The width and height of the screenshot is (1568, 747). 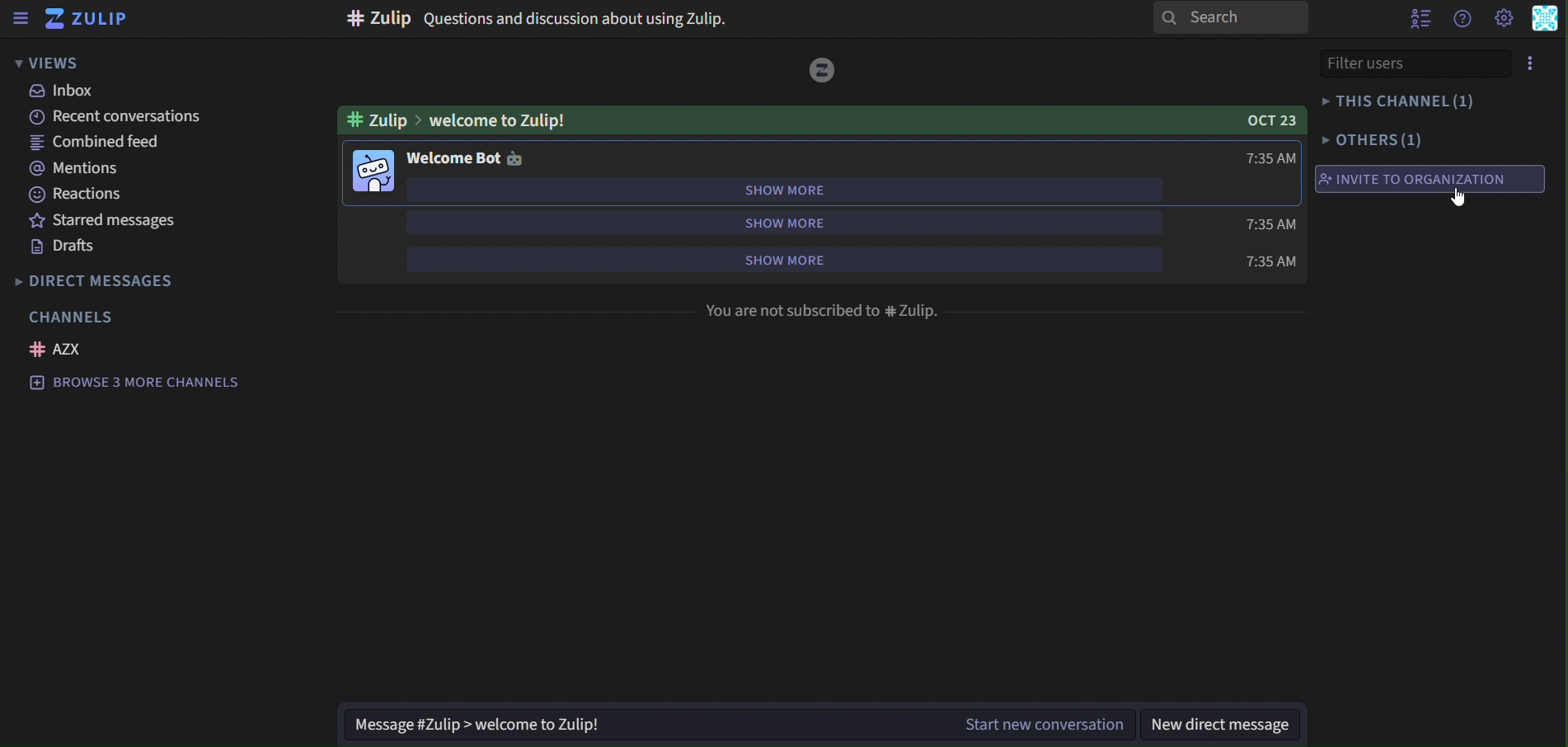 What do you see at coordinates (505, 122) in the screenshot?
I see `welcome to Zulip!` at bounding box center [505, 122].